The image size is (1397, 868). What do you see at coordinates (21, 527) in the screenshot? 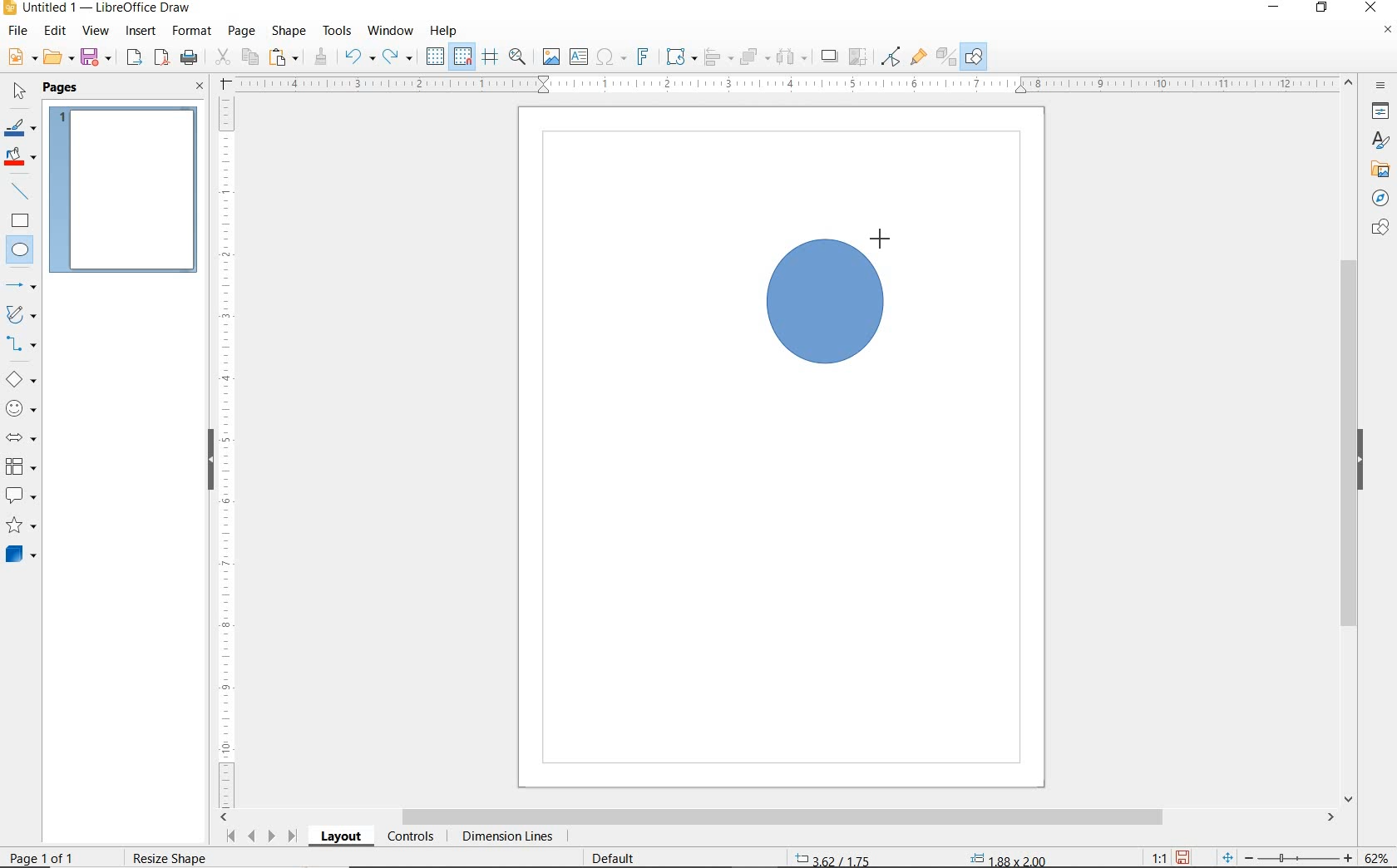
I see `STARS AND BANNERS` at bounding box center [21, 527].